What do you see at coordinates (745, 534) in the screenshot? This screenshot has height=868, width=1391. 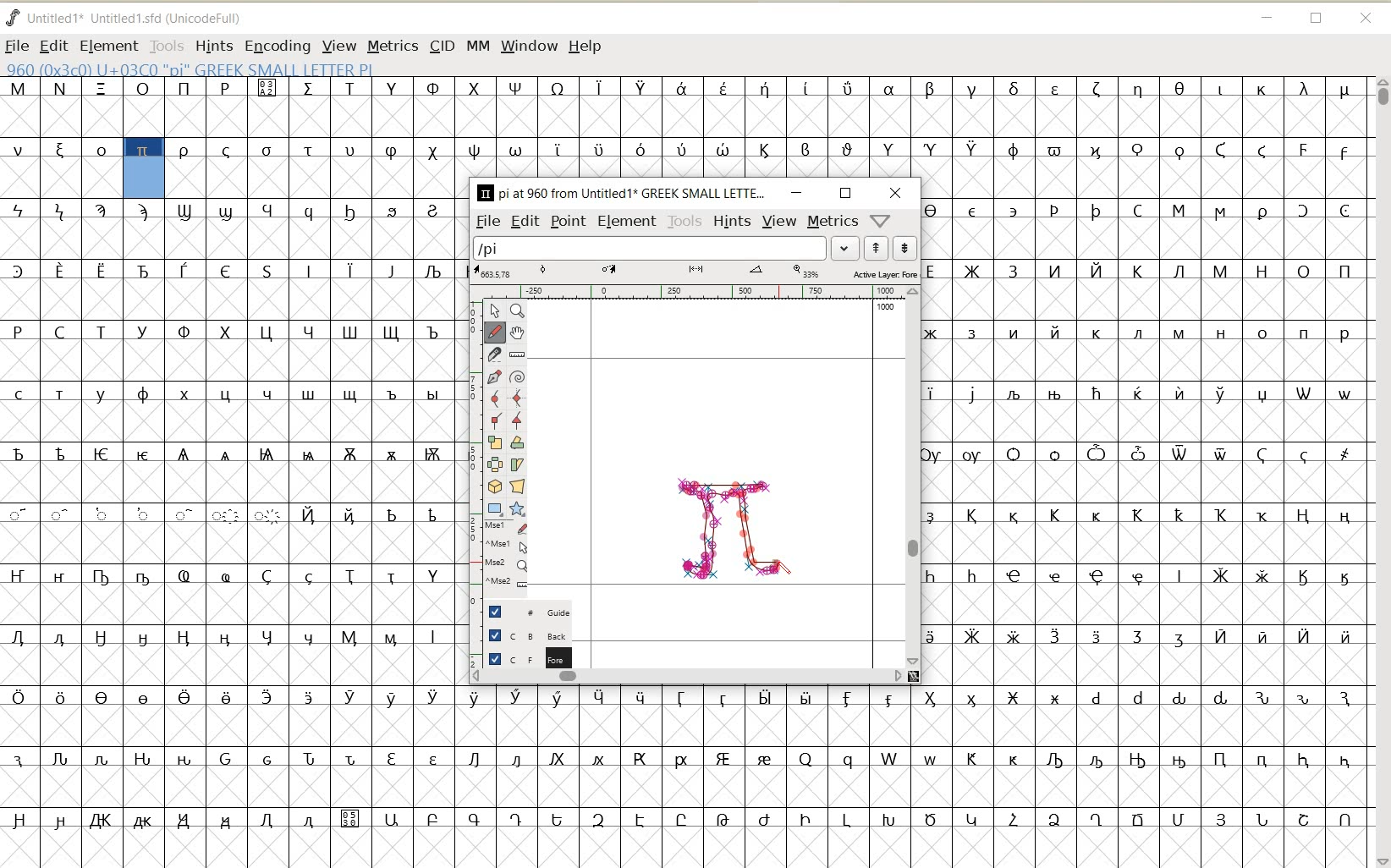 I see `a pi symbol (π) created` at bounding box center [745, 534].